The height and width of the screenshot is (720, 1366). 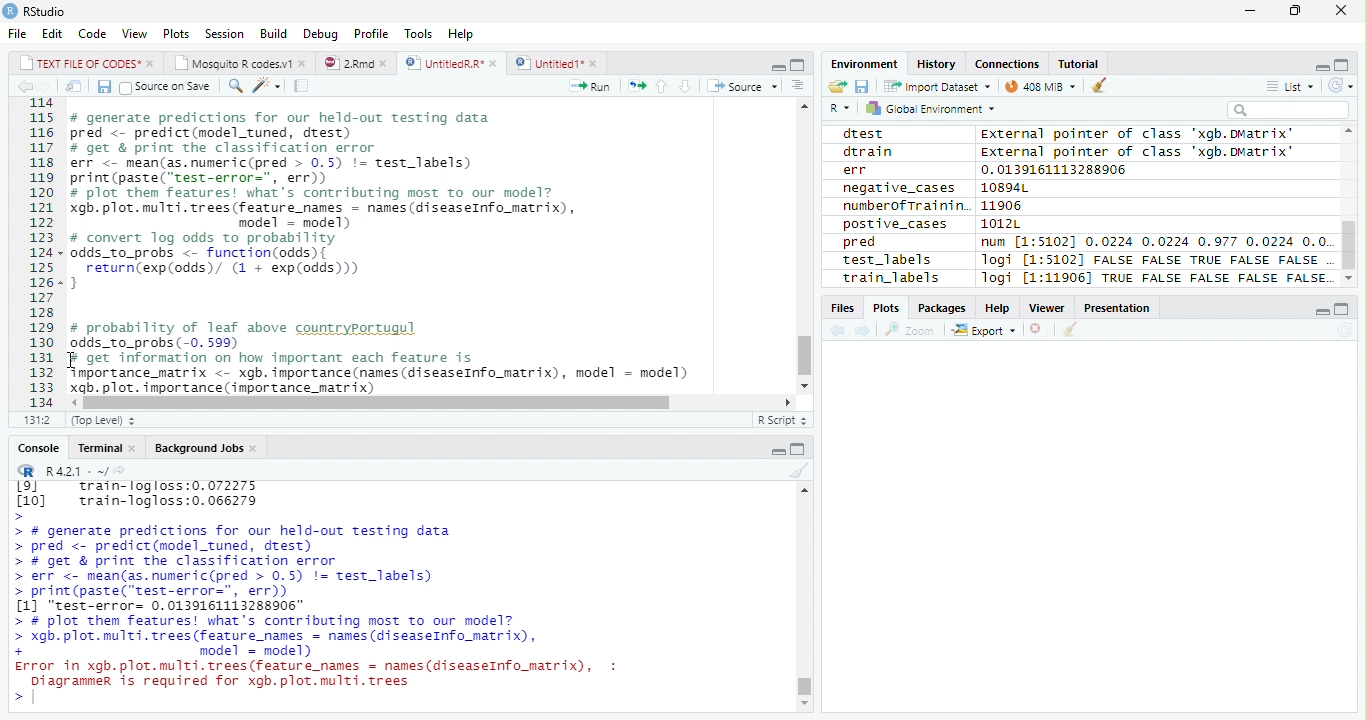 I want to click on Import dataset, so click(x=936, y=85).